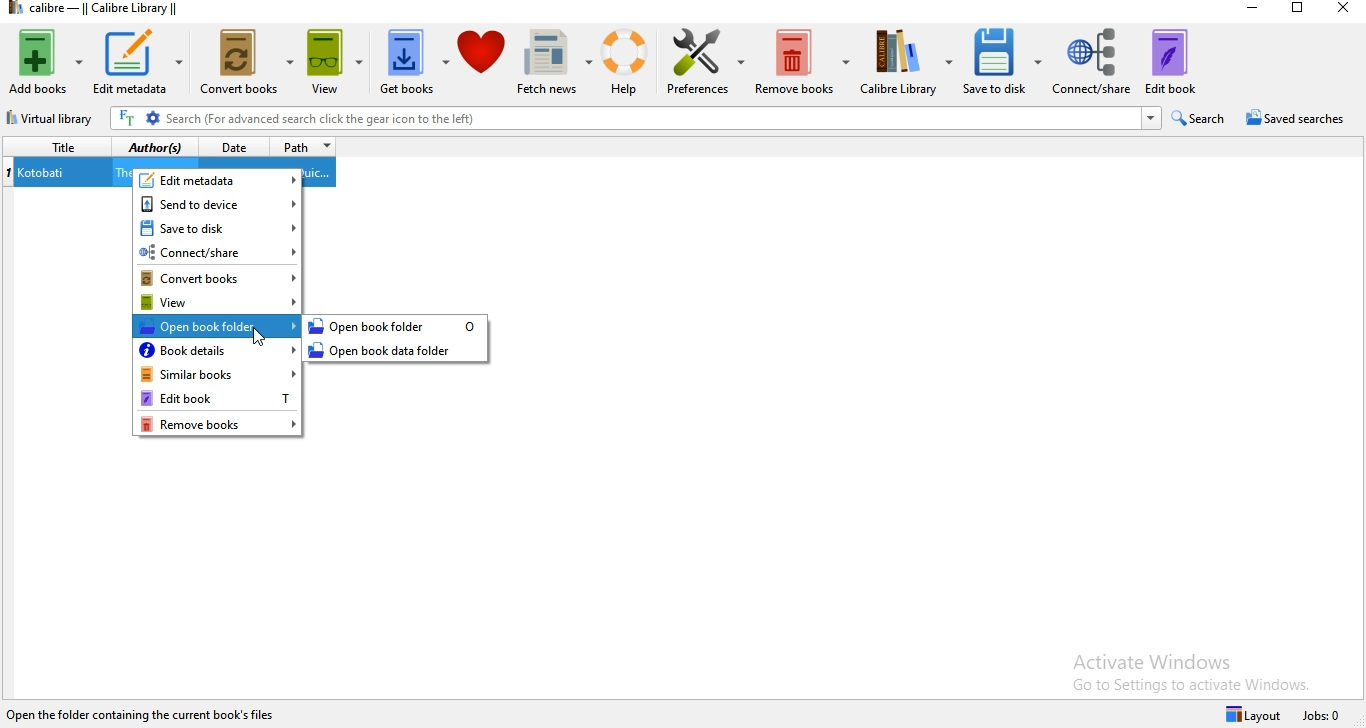 Image resolution: width=1366 pixels, height=728 pixels. Describe the element at coordinates (217, 423) in the screenshot. I see `remove books` at that location.